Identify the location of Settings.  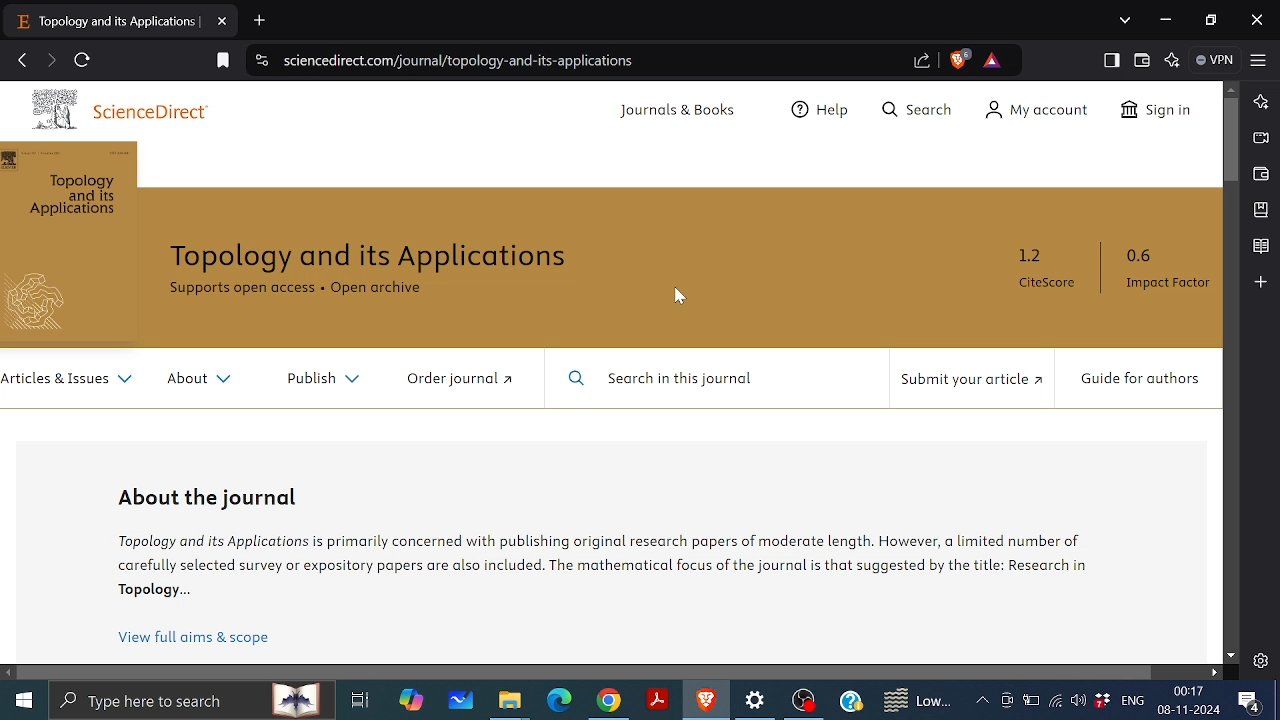
(758, 703).